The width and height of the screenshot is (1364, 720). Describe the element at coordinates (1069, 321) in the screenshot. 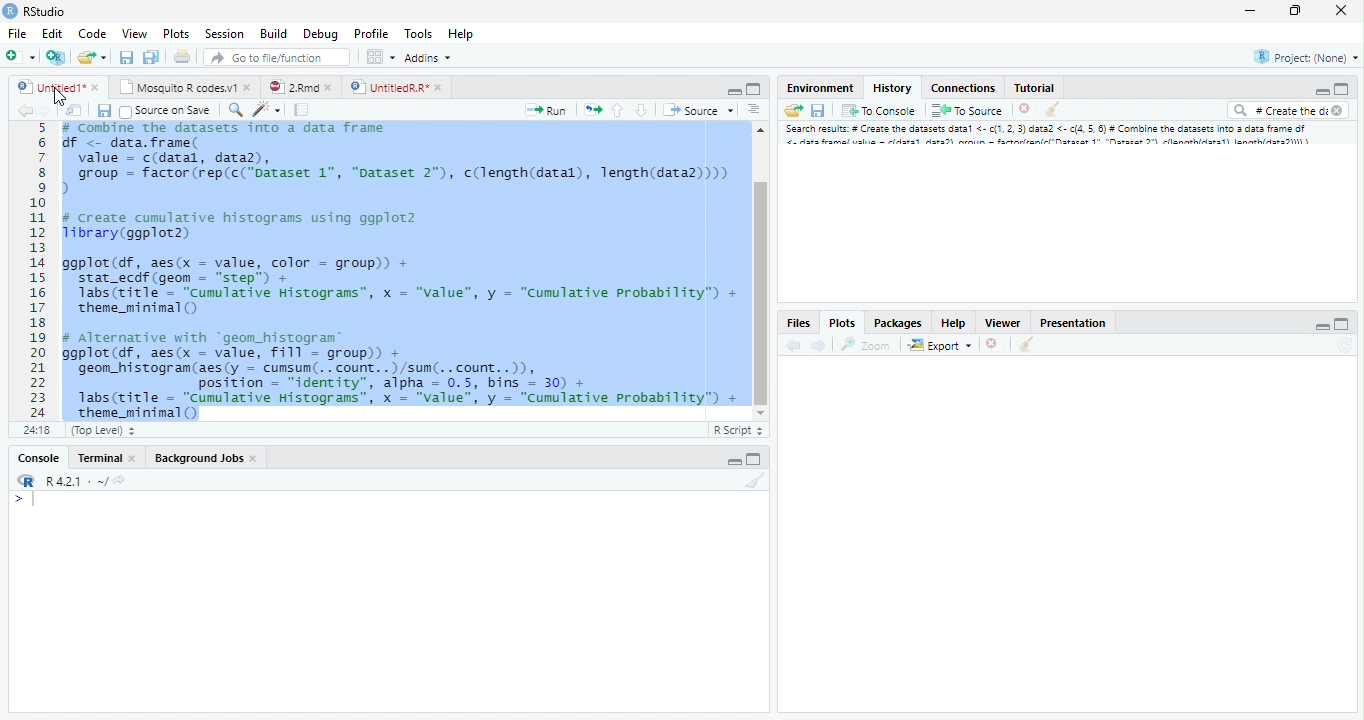

I see `Prsentation` at that location.